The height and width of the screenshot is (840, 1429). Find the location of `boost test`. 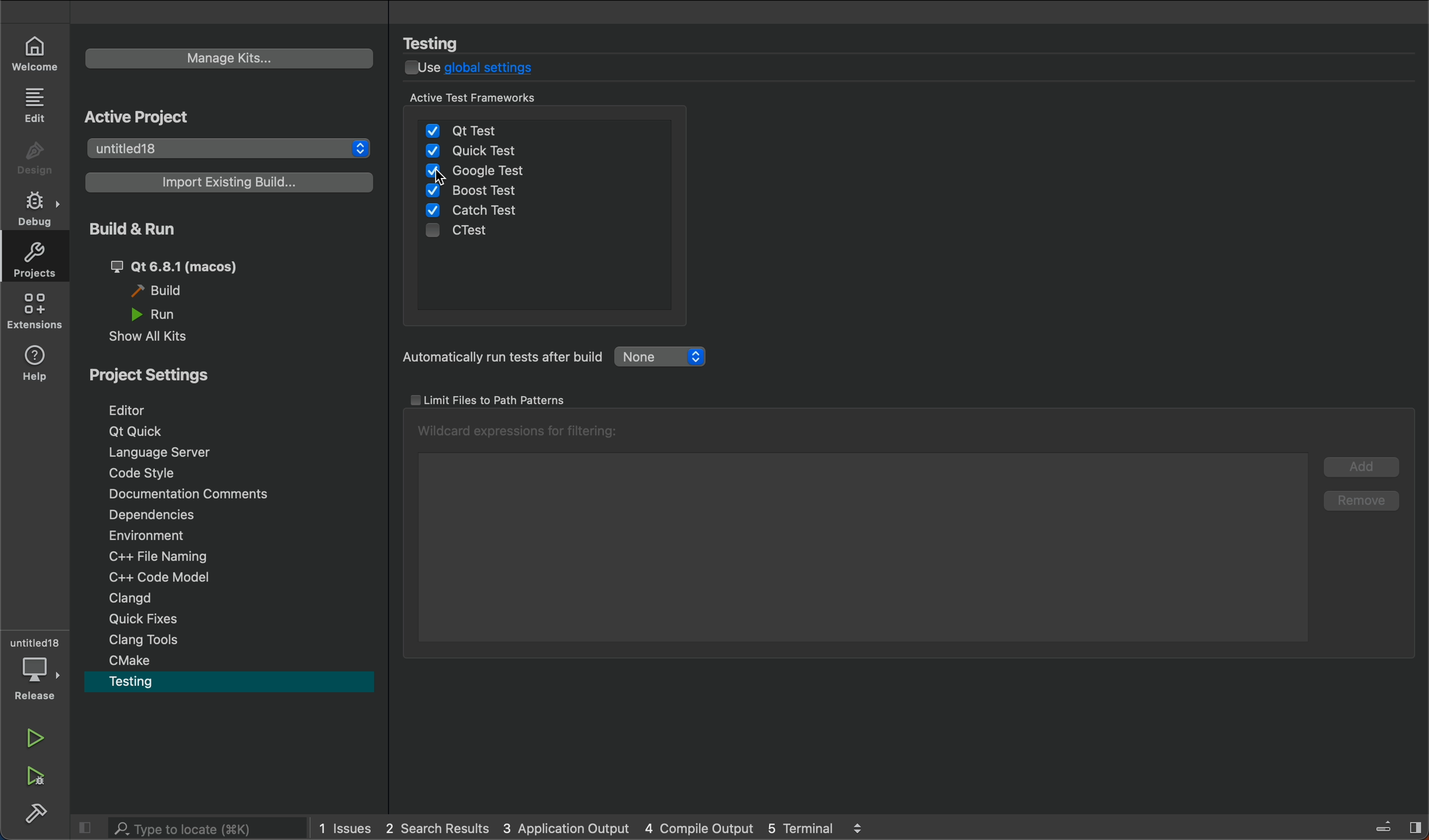

boost test is located at coordinates (473, 192).